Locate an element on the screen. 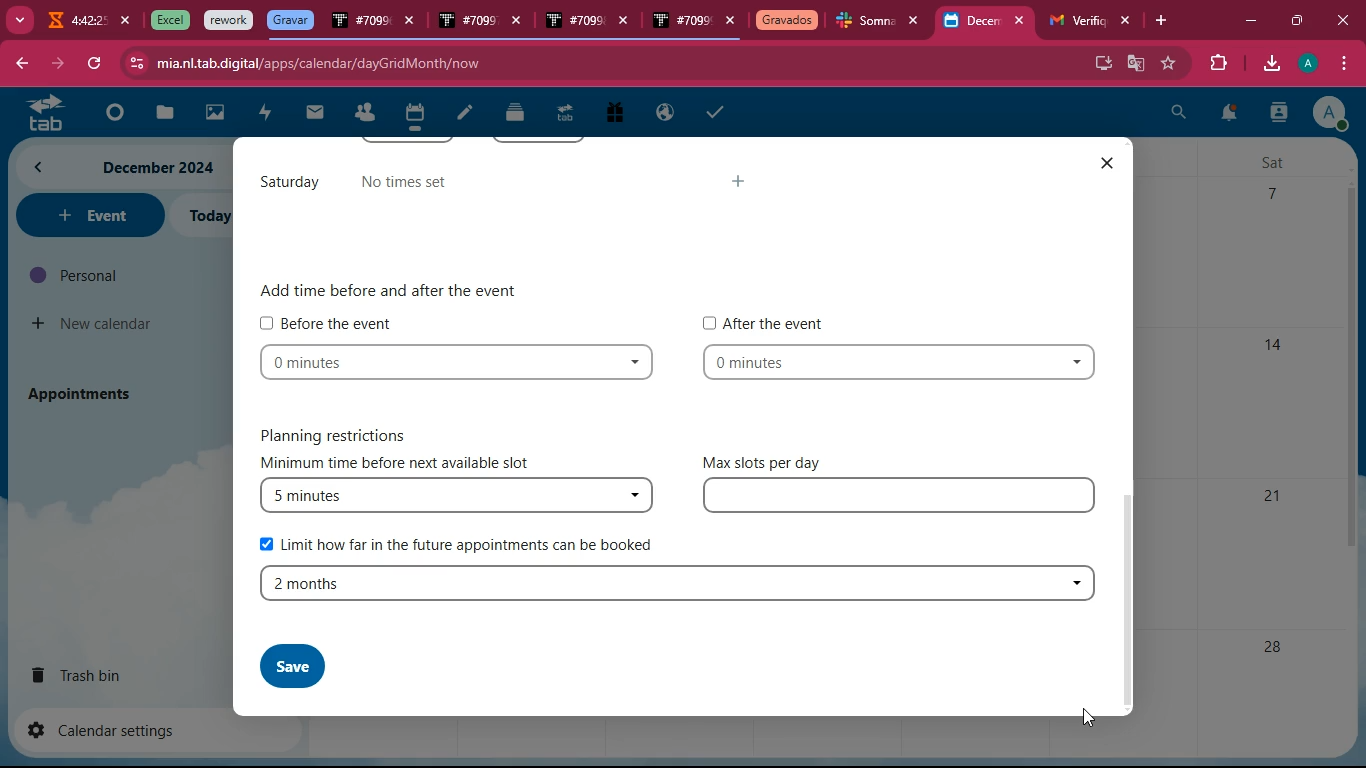 The image size is (1366, 768). new calendar is located at coordinates (94, 324).